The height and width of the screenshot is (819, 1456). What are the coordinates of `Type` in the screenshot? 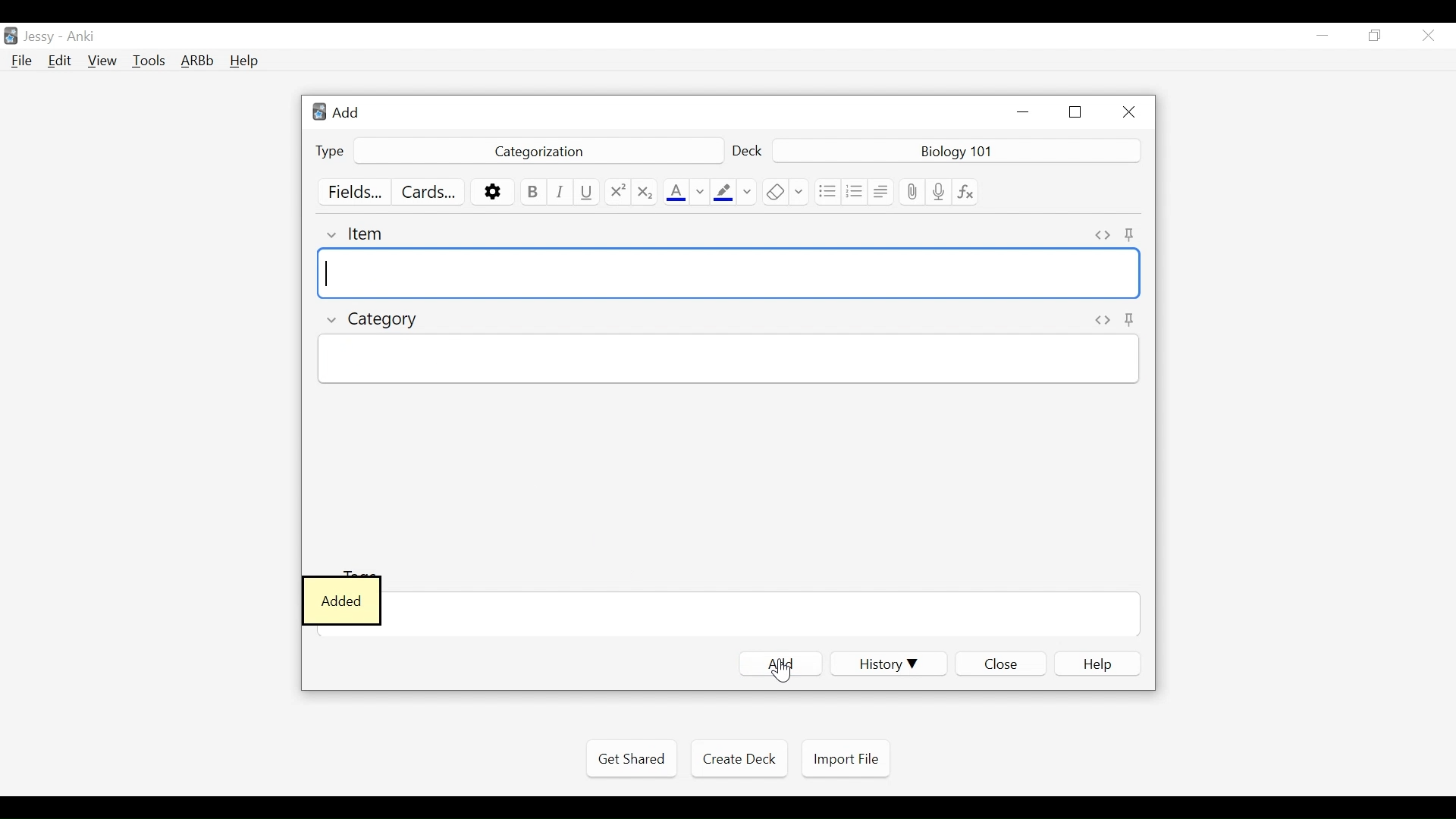 It's located at (330, 152).